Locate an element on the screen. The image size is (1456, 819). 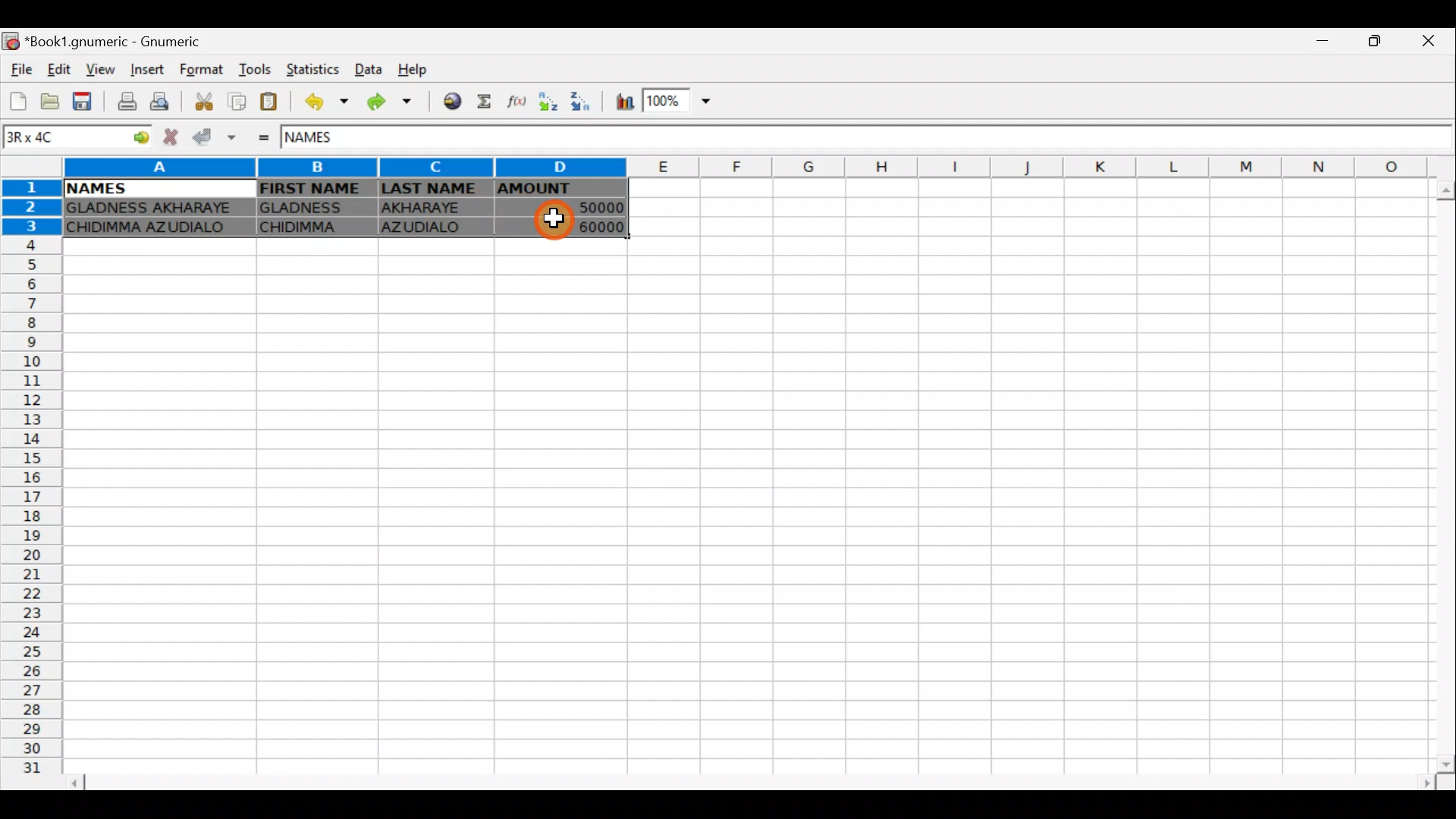
Scroll bar is located at coordinates (1437, 475).